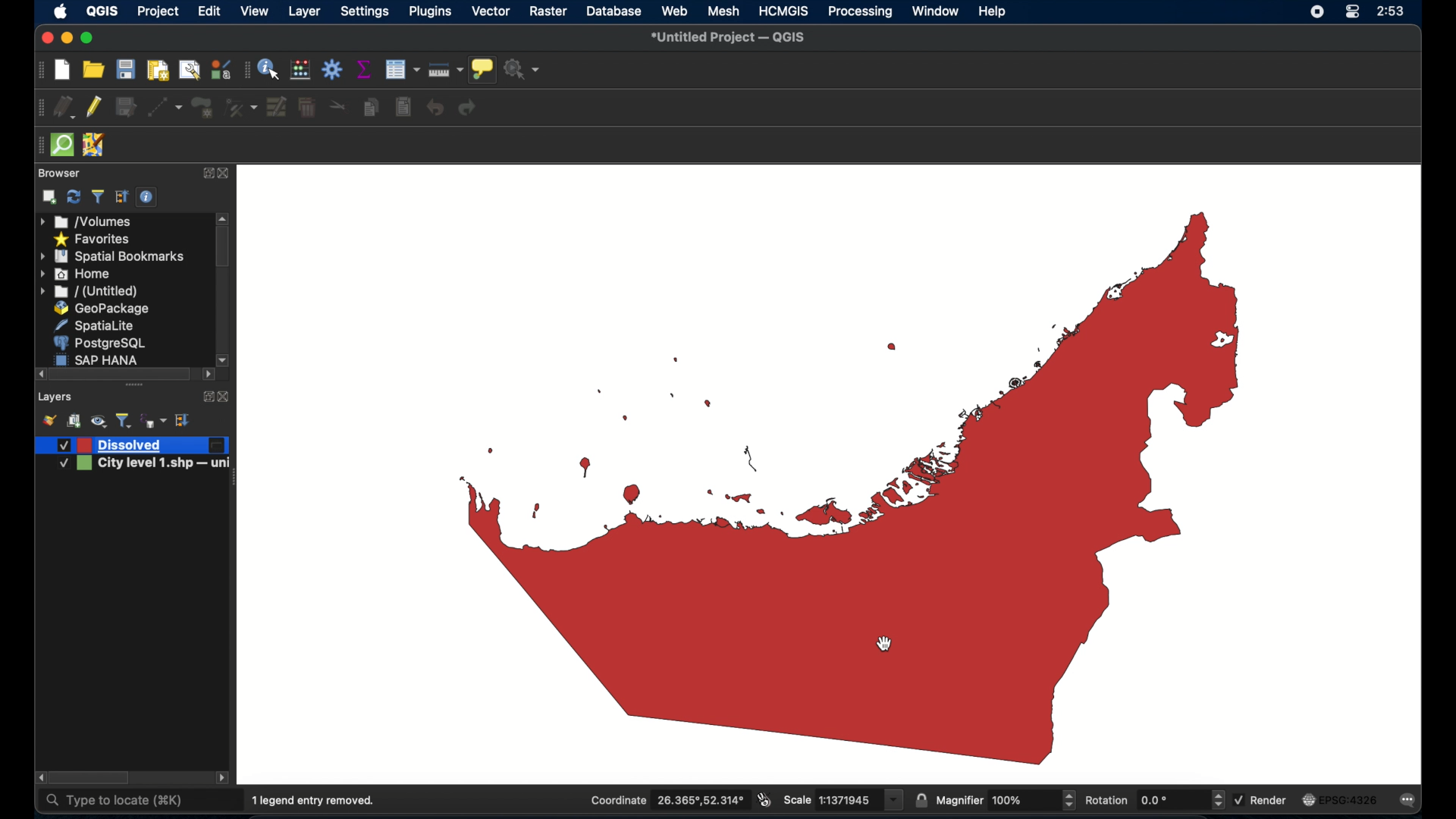  What do you see at coordinates (93, 69) in the screenshot?
I see `open project` at bounding box center [93, 69].